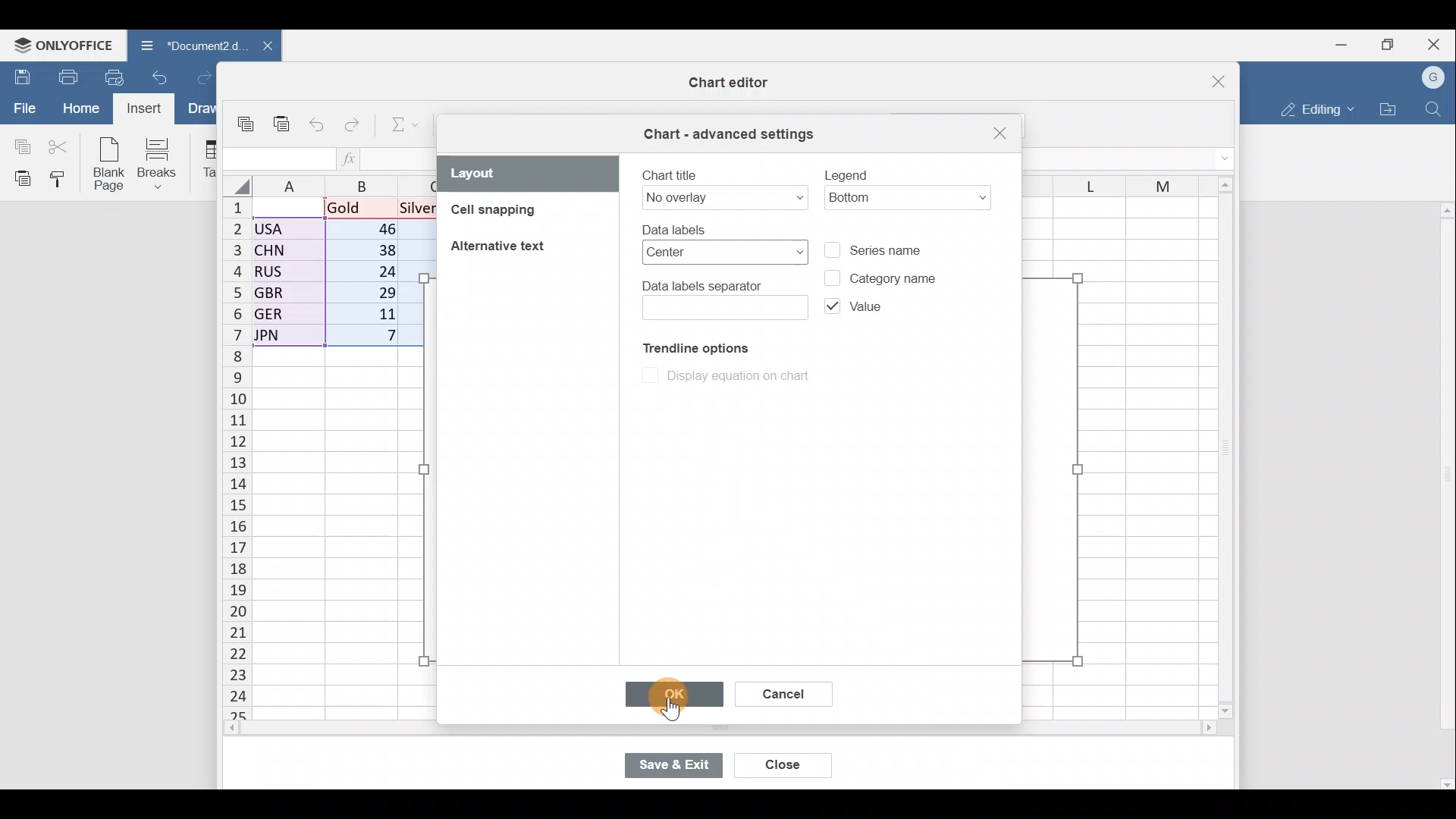 This screenshot has width=1456, height=819. I want to click on Scroll bar, so click(1232, 452).